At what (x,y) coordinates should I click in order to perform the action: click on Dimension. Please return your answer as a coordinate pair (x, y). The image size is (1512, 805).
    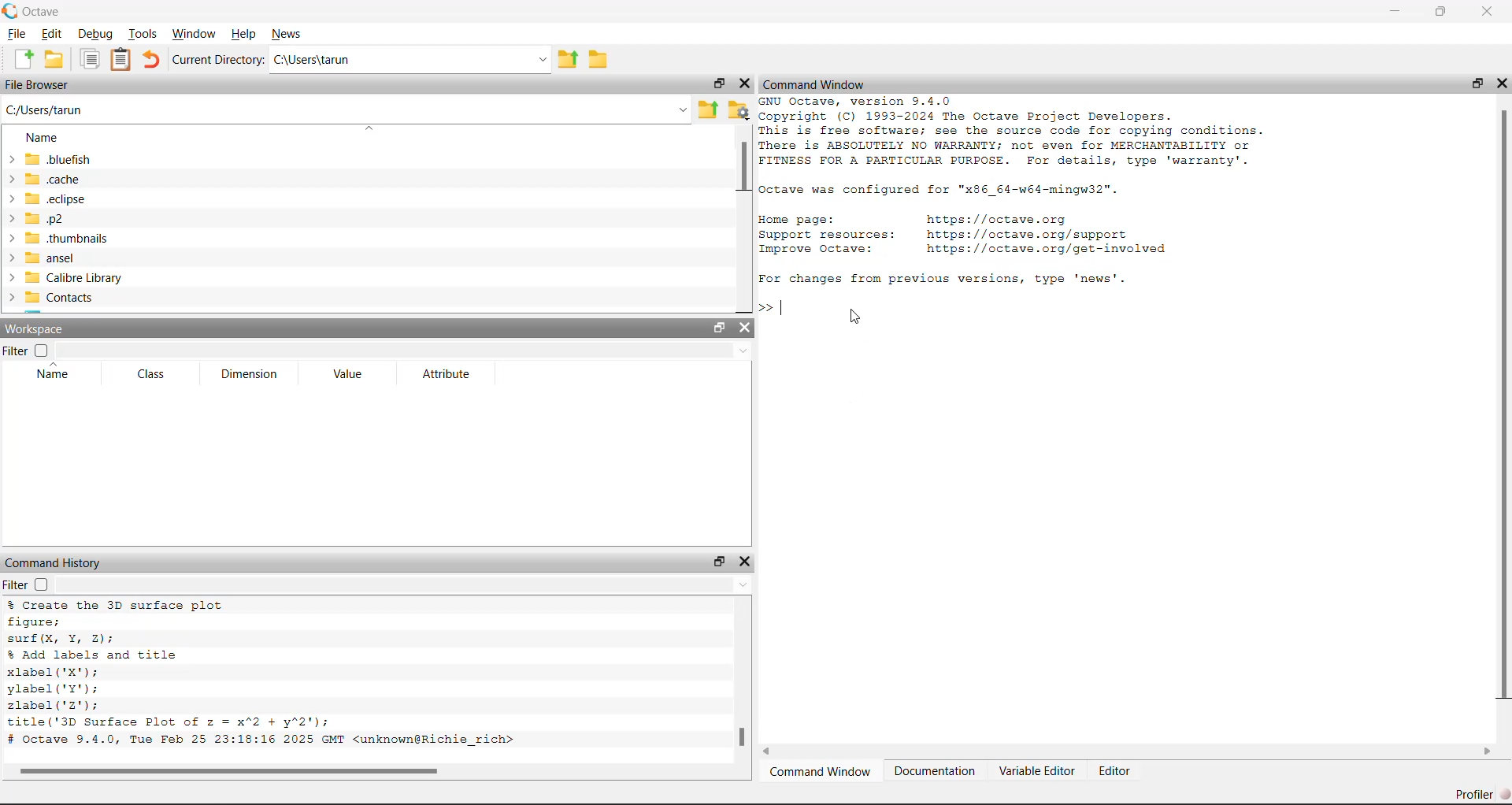
    Looking at the image, I should click on (248, 374).